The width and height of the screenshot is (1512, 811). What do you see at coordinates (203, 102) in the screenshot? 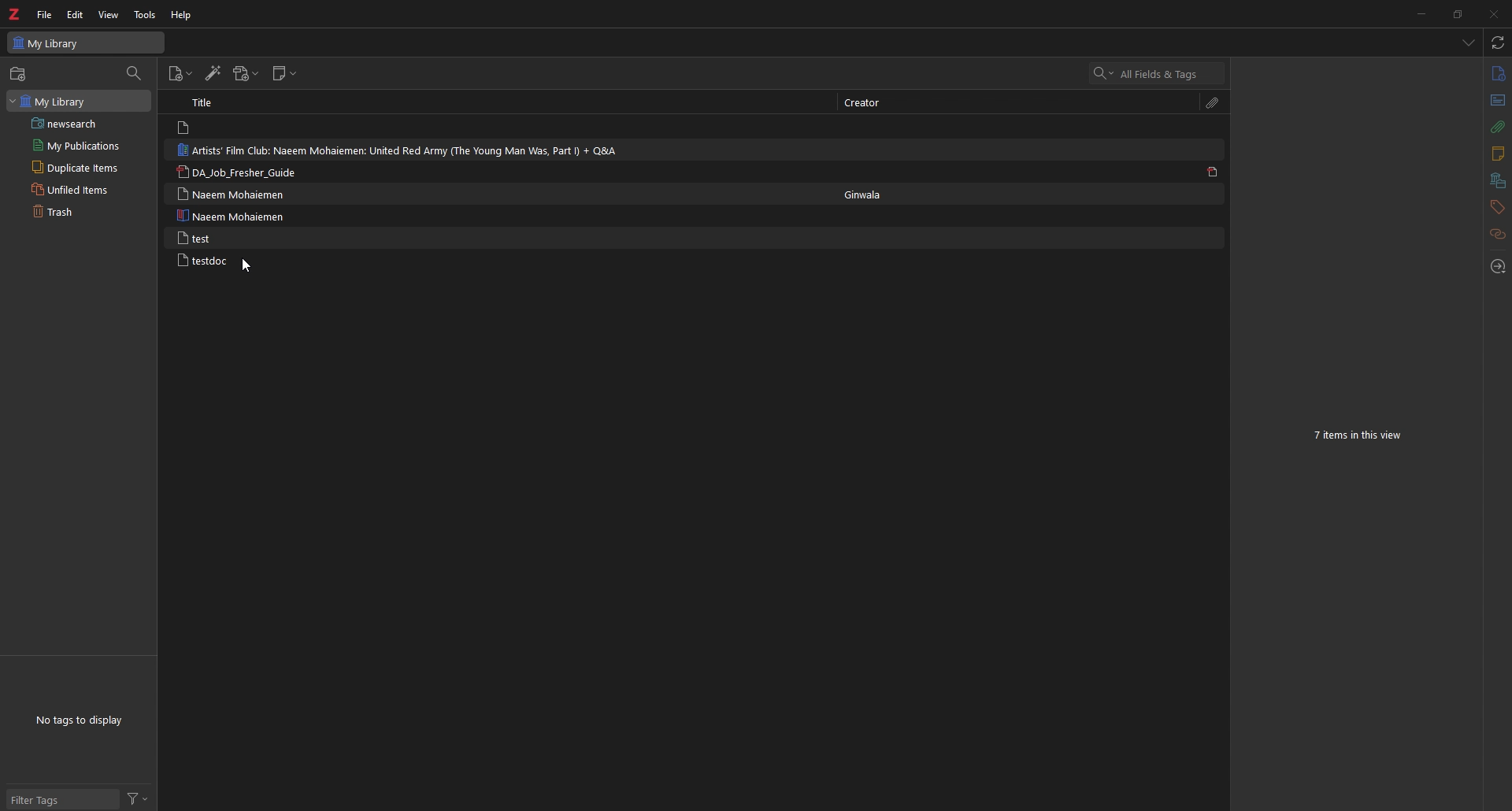
I see `Title` at bounding box center [203, 102].